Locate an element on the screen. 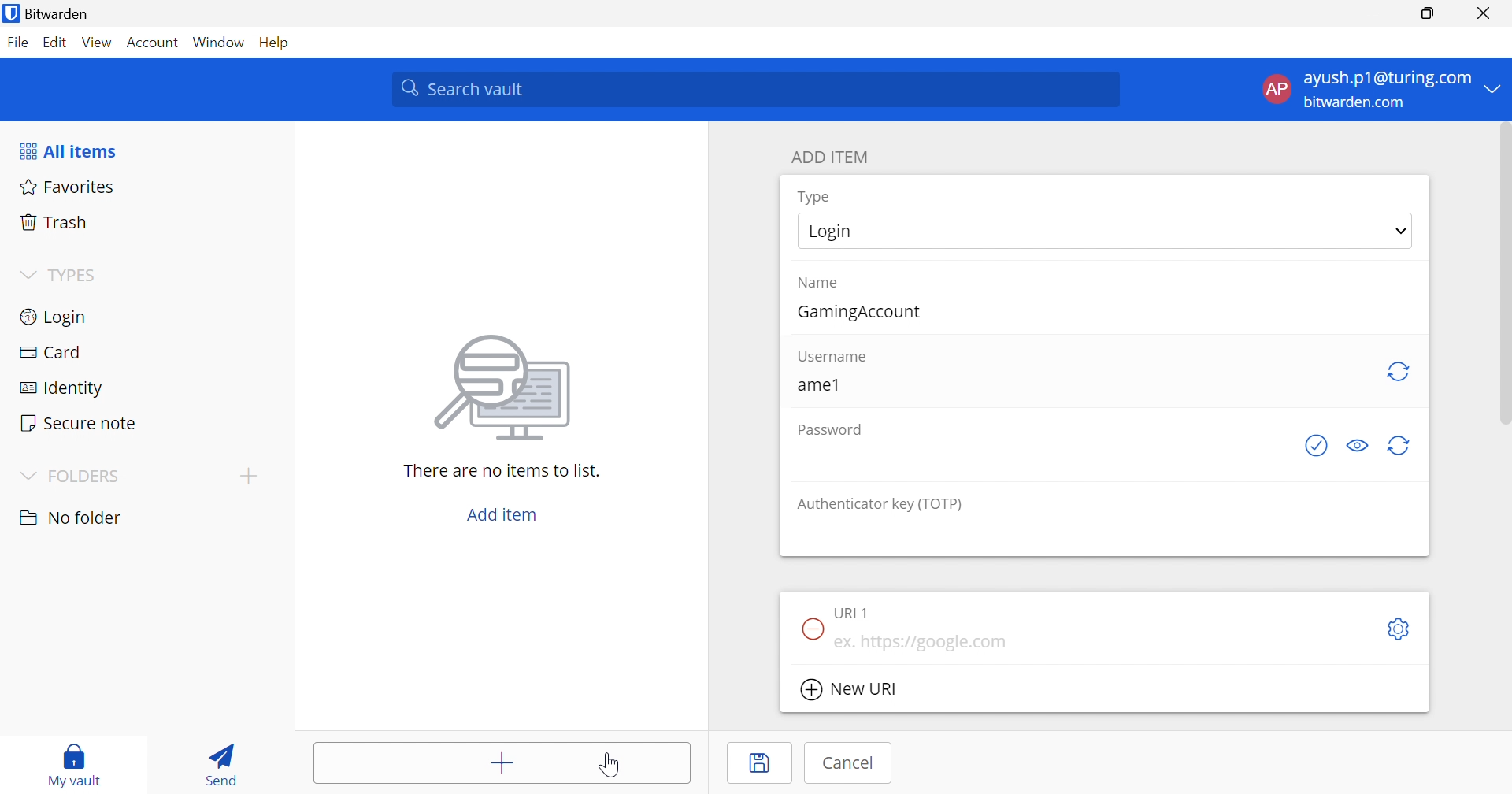 This screenshot has height=794, width=1512. Toggle visibility is located at coordinates (1362, 445).